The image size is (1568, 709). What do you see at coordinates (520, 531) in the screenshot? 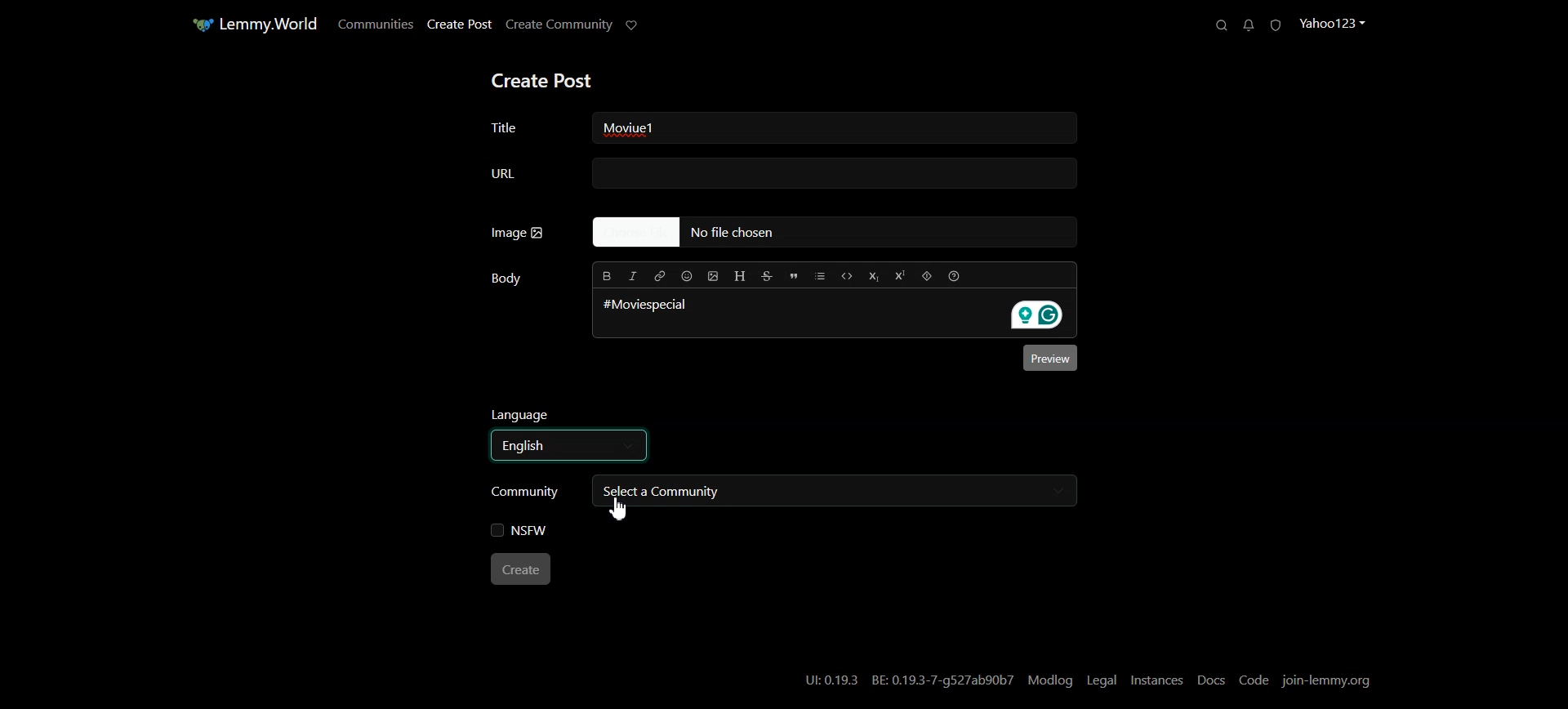
I see `NSFW` at bounding box center [520, 531].